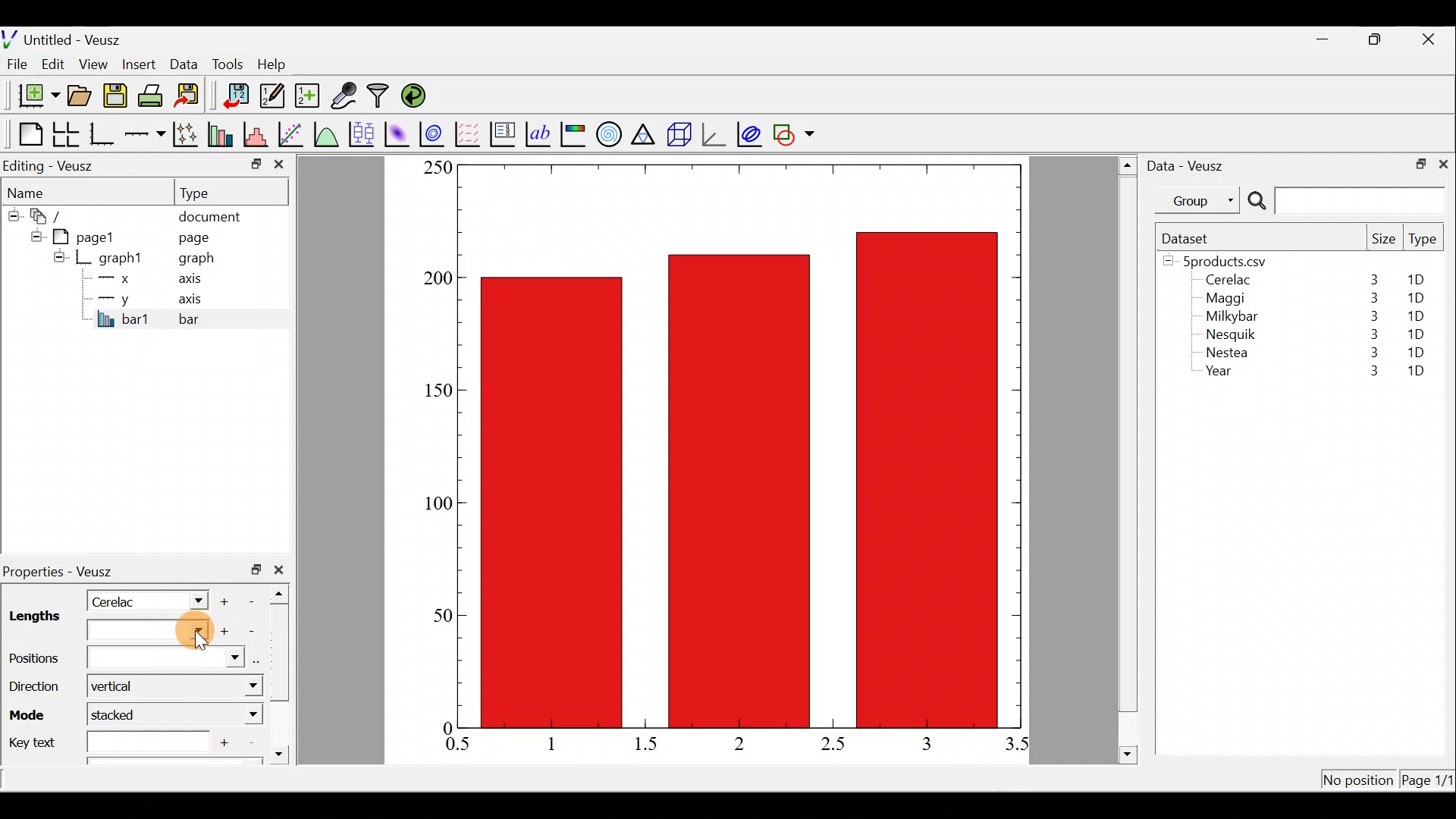 The image size is (1456, 819). Describe the element at coordinates (1443, 163) in the screenshot. I see `close` at that location.